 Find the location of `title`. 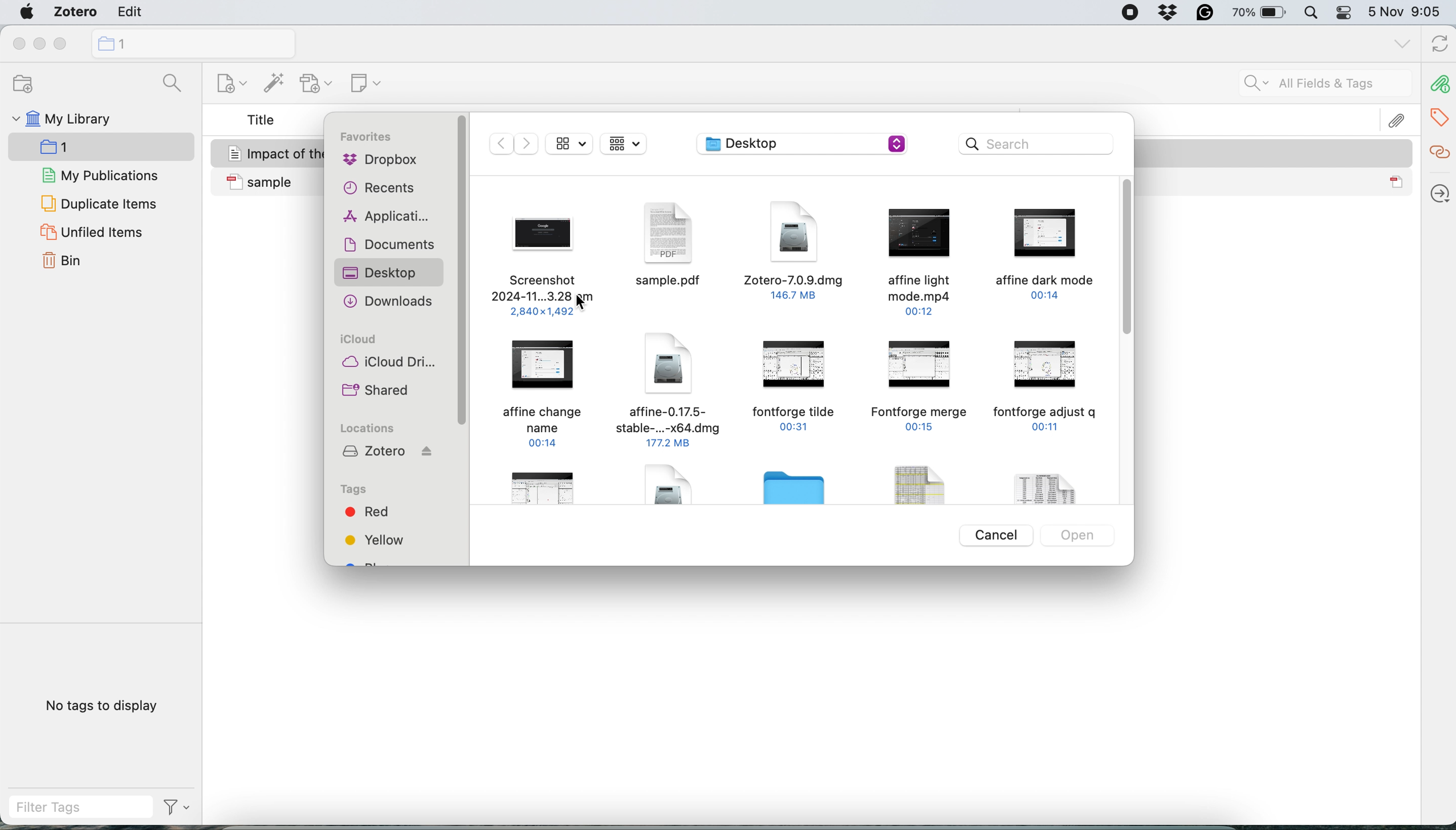

title is located at coordinates (262, 121).